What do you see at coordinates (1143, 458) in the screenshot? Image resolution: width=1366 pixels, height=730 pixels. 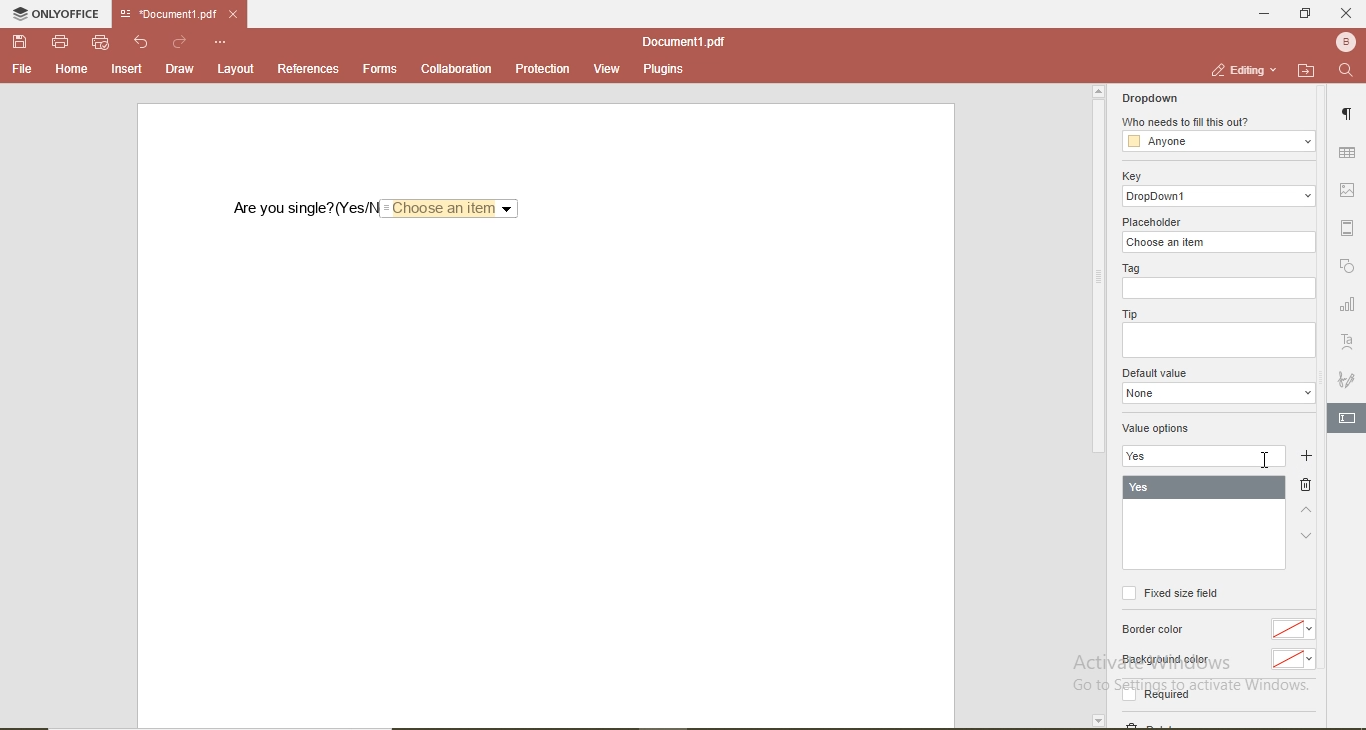 I see `yes` at bounding box center [1143, 458].